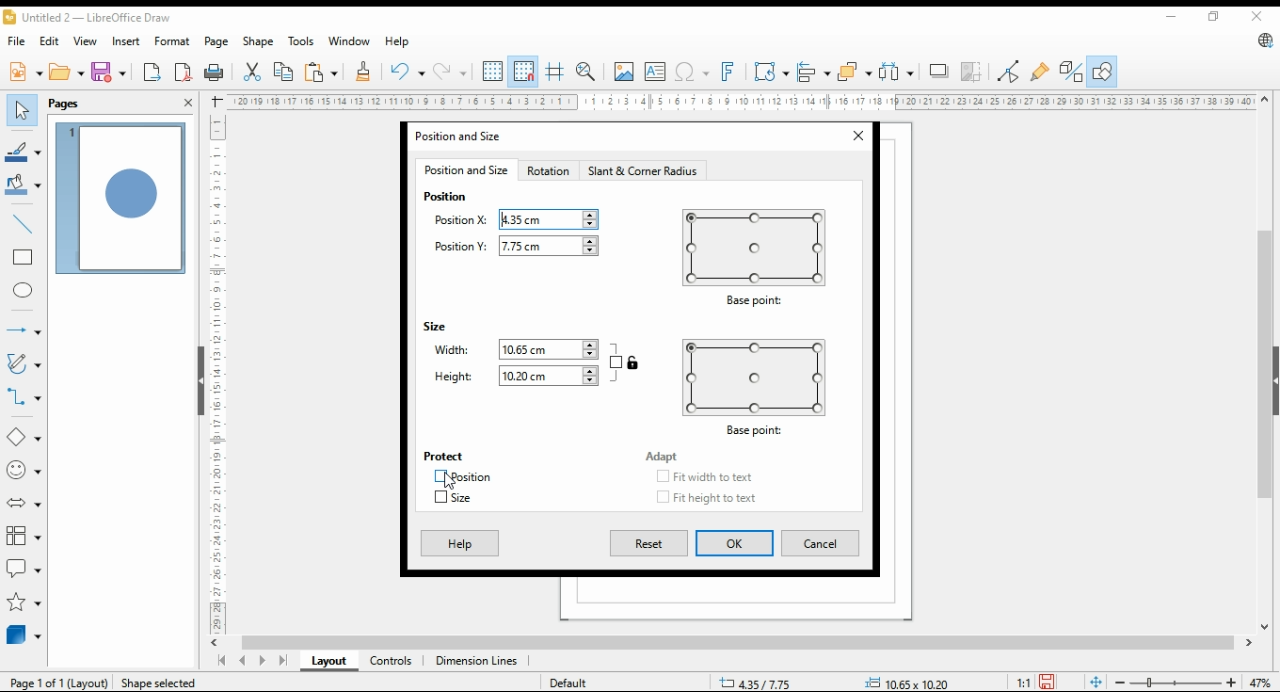  What do you see at coordinates (623, 362) in the screenshot?
I see `keep ratio` at bounding box center [623, 362].